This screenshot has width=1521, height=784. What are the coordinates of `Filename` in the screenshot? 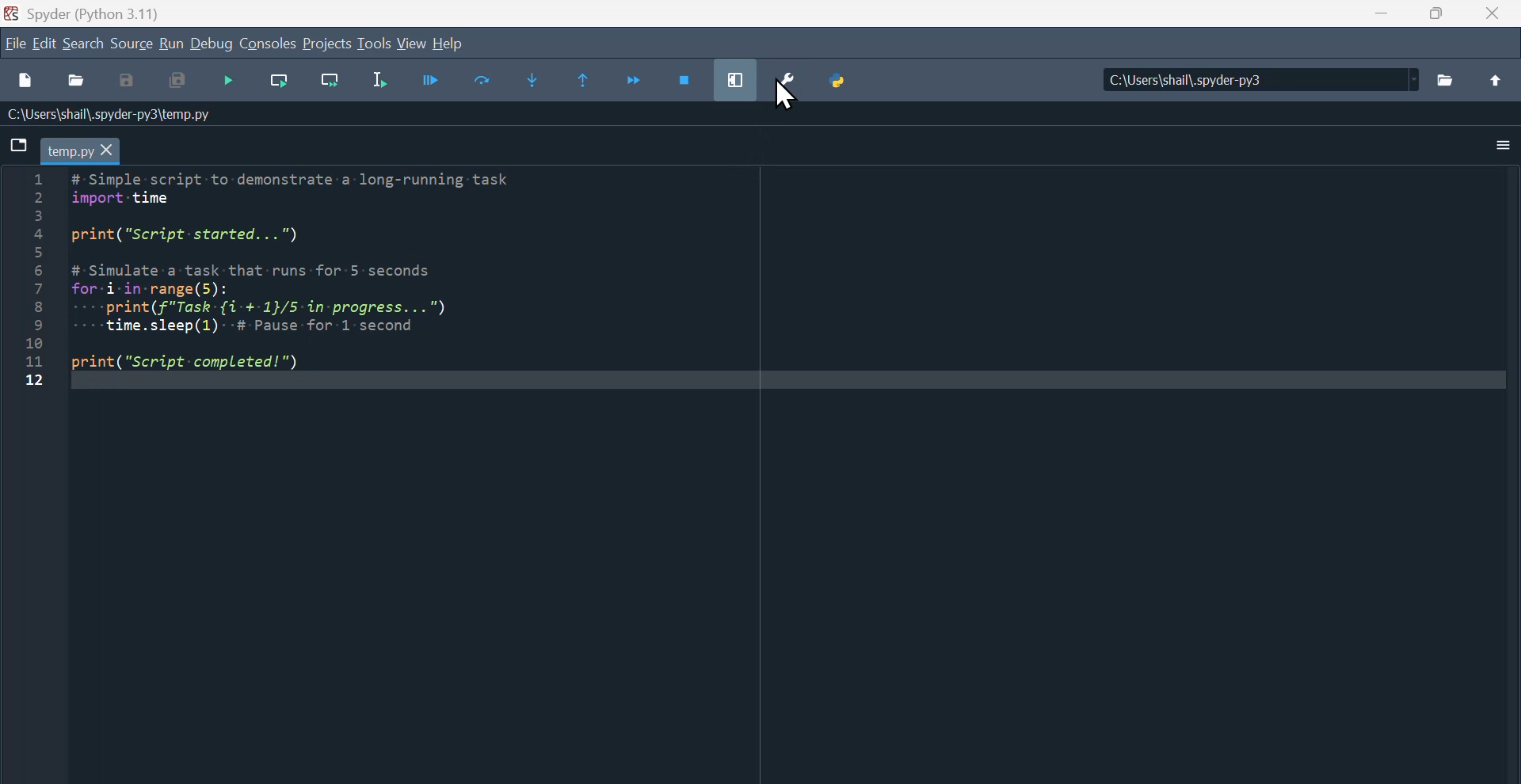 It's located at (84, 150).